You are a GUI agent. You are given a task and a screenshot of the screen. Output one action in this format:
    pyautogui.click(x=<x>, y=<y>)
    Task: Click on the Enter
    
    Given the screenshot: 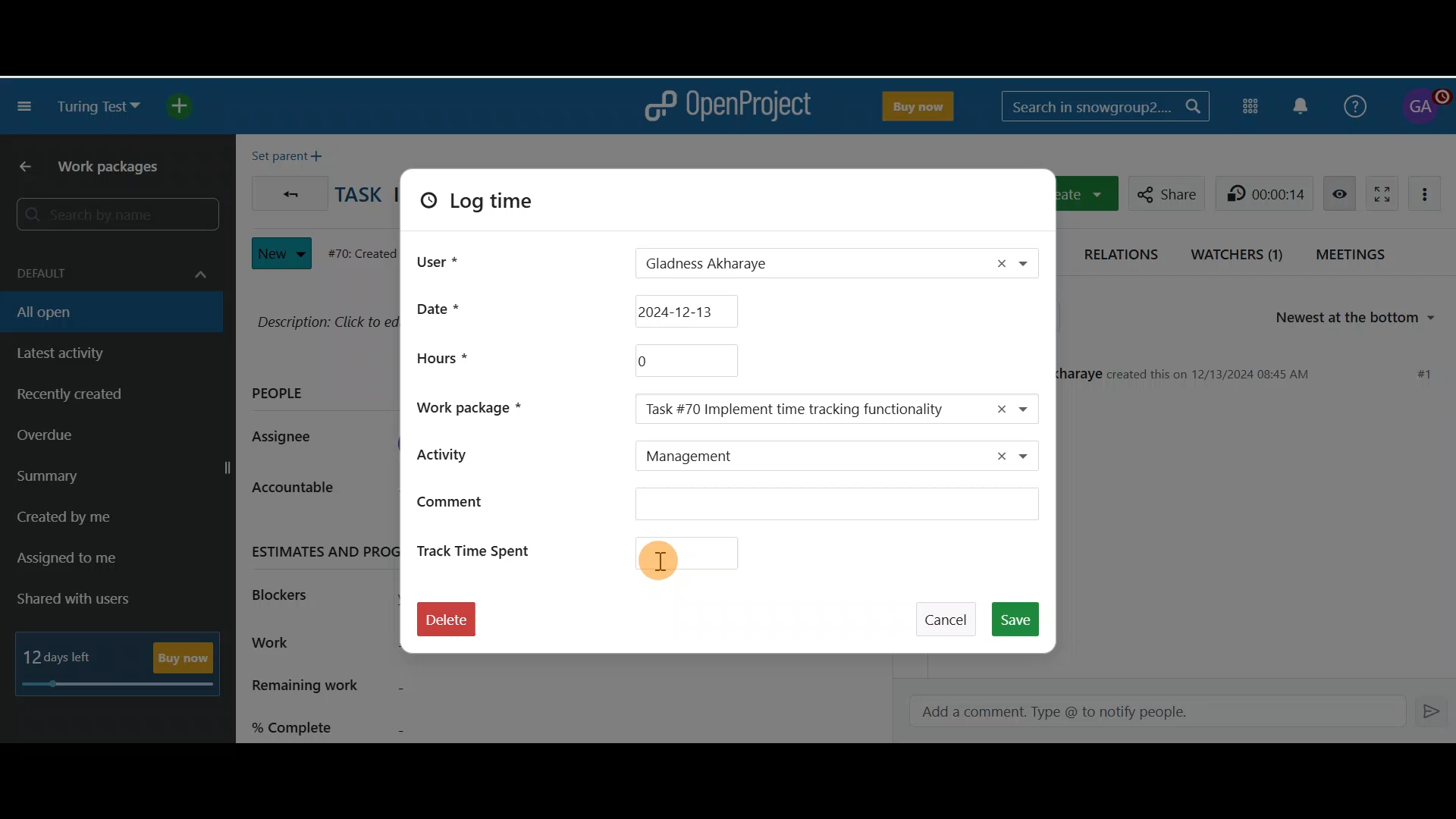 What is the action you would take?
    pyautogui.click(x=1433, y=710)
    